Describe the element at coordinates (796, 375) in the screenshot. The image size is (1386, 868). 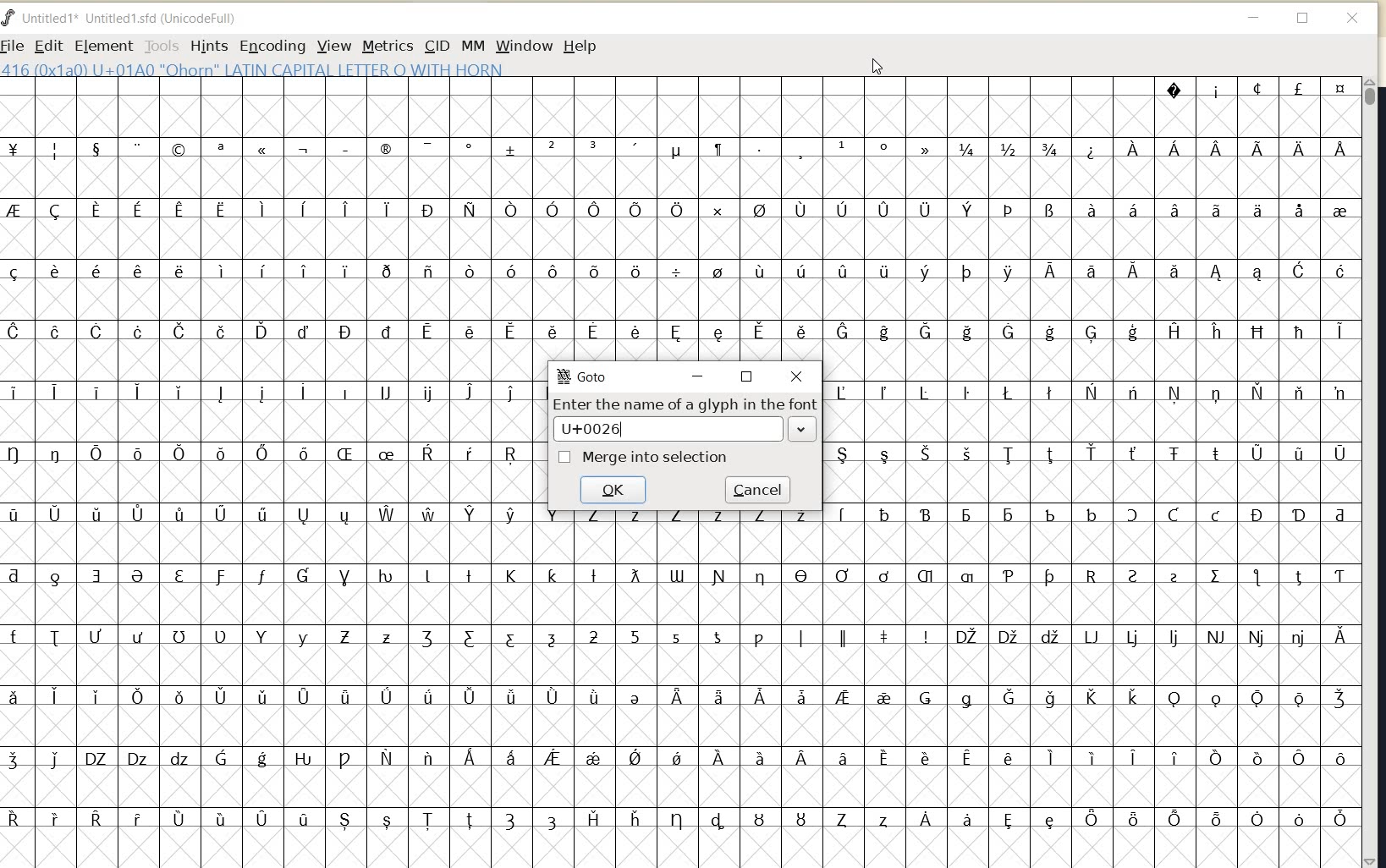
I see `close` at that location.